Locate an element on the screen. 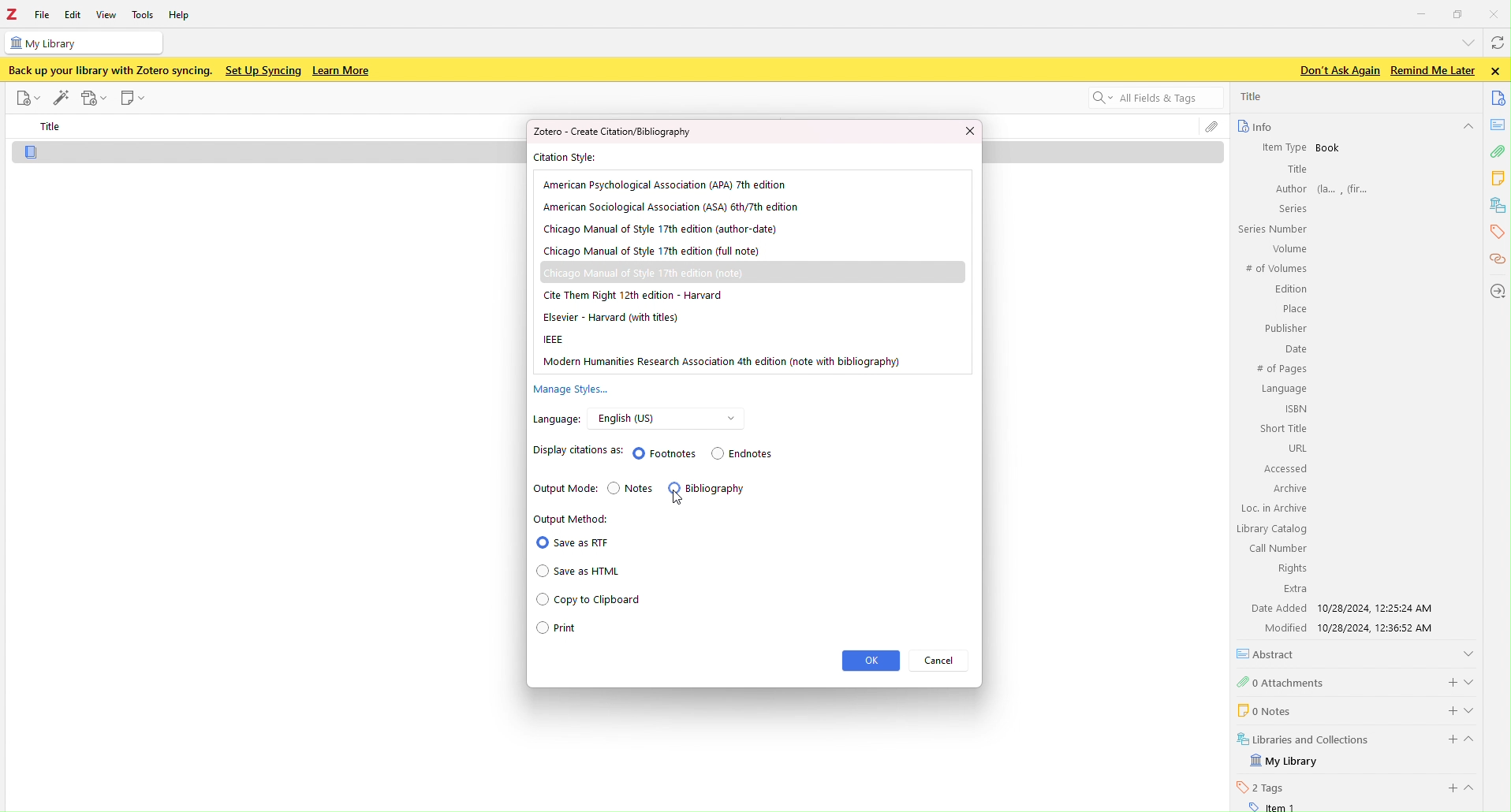 This screenshot has height=812, width=1511. manage styles is located at coordinates (603, 388).